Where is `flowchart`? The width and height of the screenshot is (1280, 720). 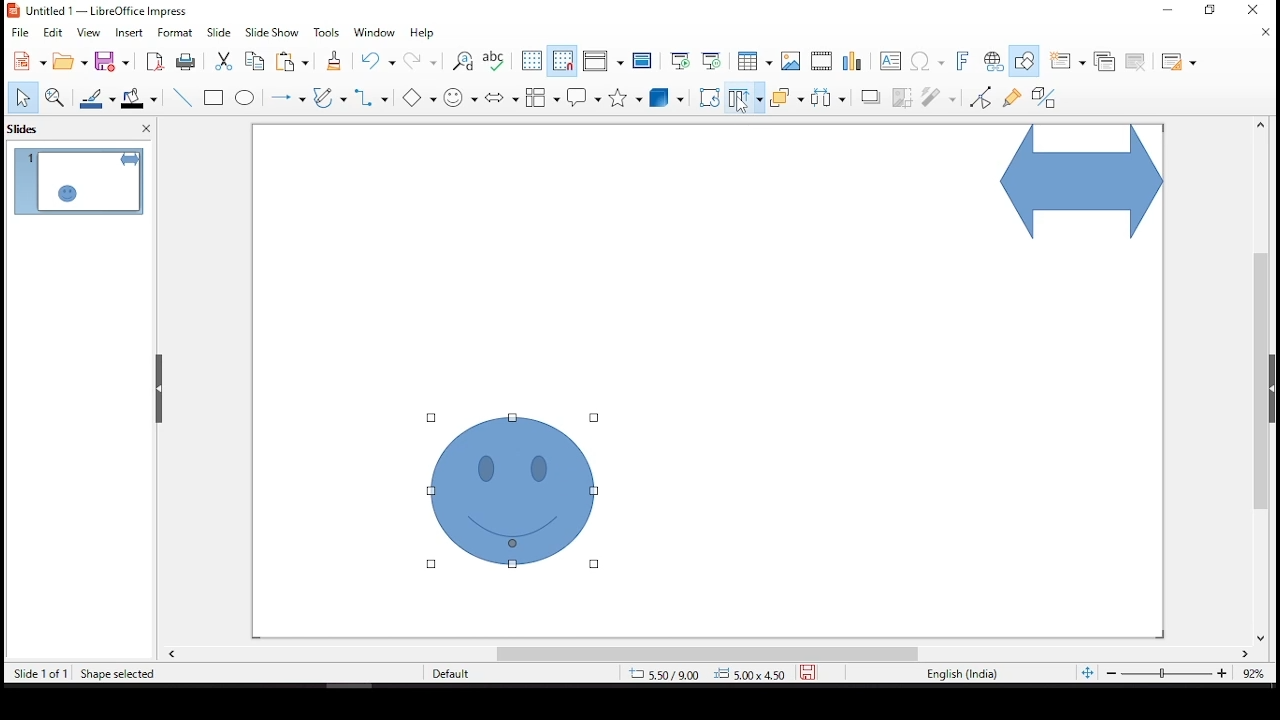
flowchart is located at coordinates (543, 97).